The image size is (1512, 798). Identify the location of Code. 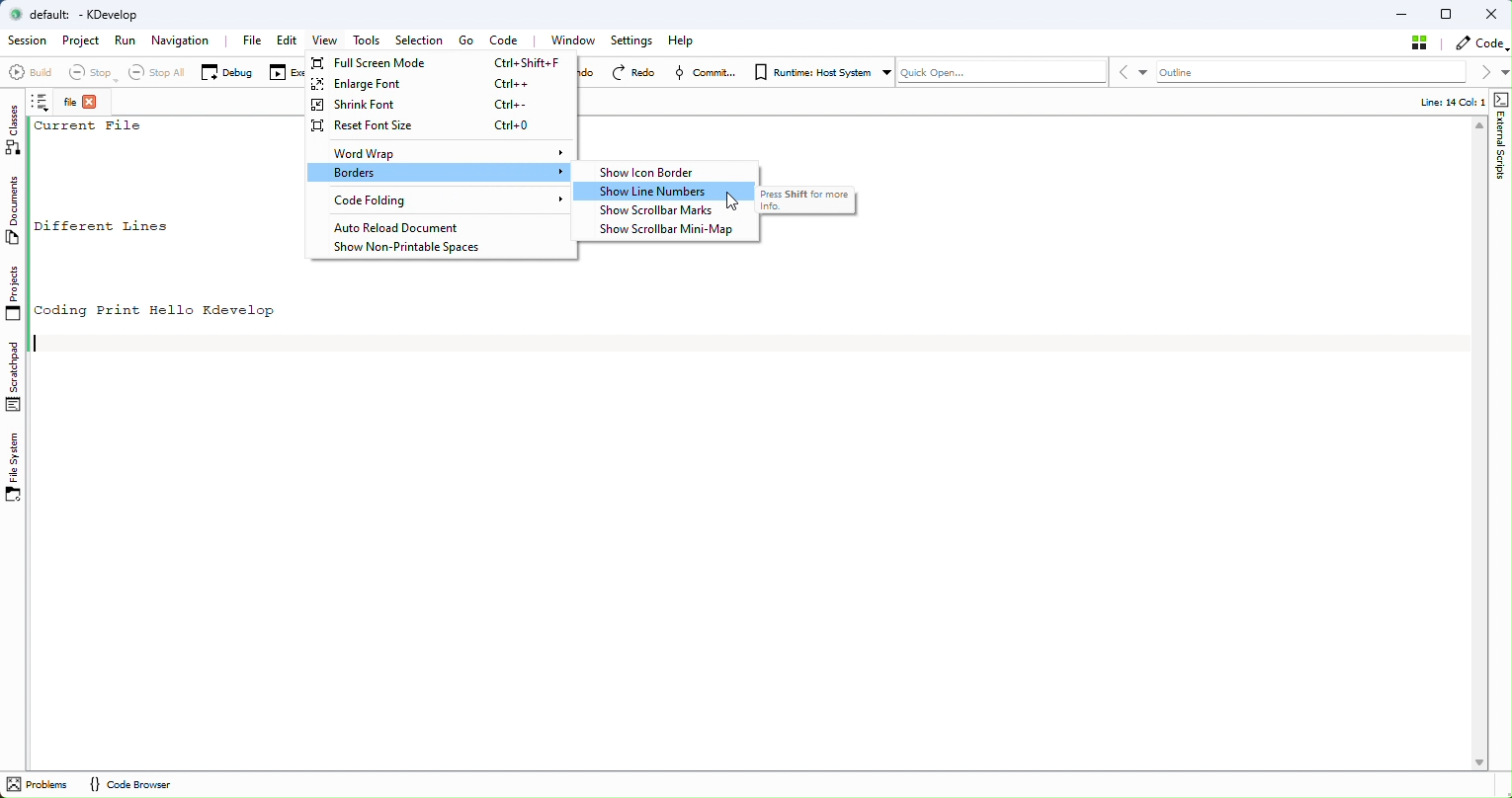
(1479, 42).